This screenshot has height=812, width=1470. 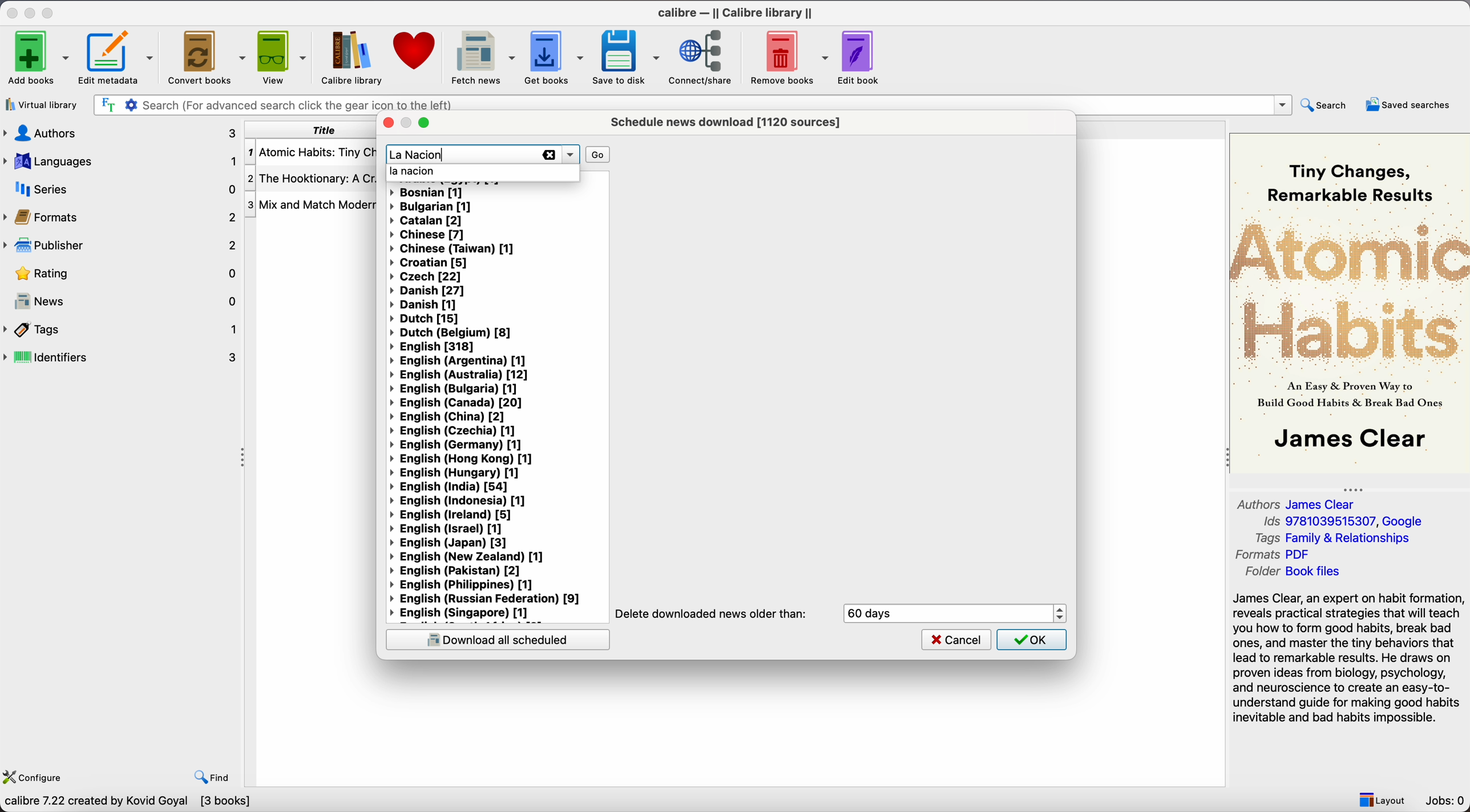 I want to click on English (Indonesia) [1], so click(x=460, y=502).